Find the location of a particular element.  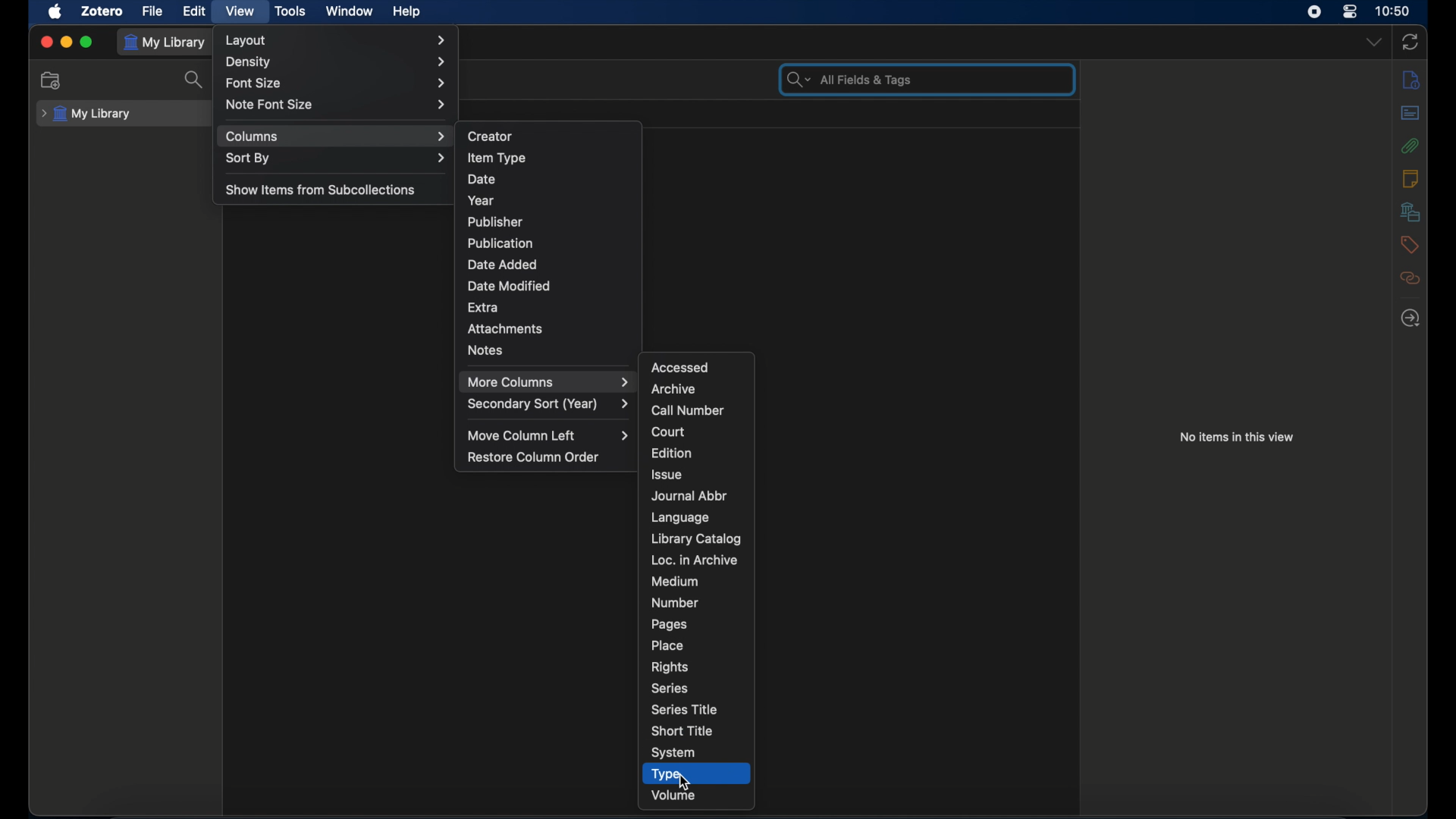

series is located at coordinates (670, 688).